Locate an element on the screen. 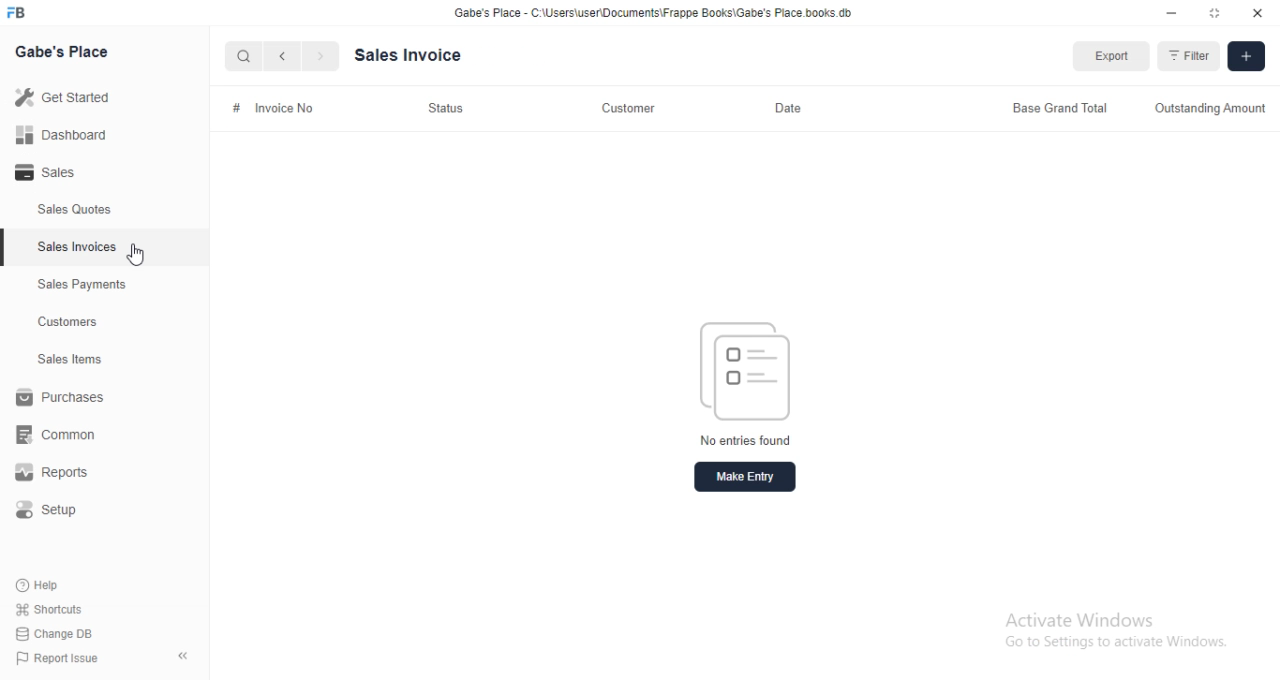  Setup is located at coordinates (48, 507).